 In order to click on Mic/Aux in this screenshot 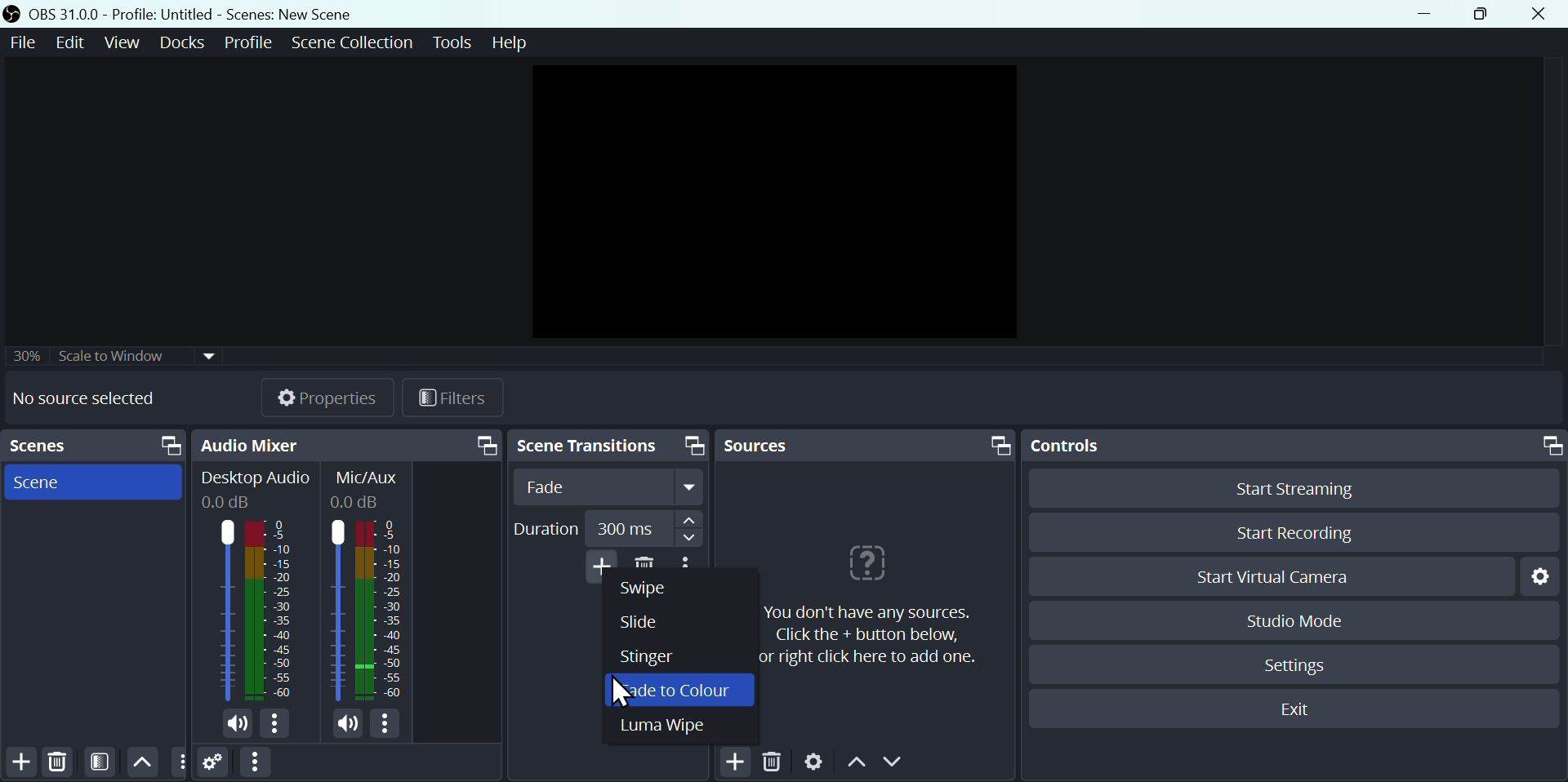, I will do `click(366, 486)`.